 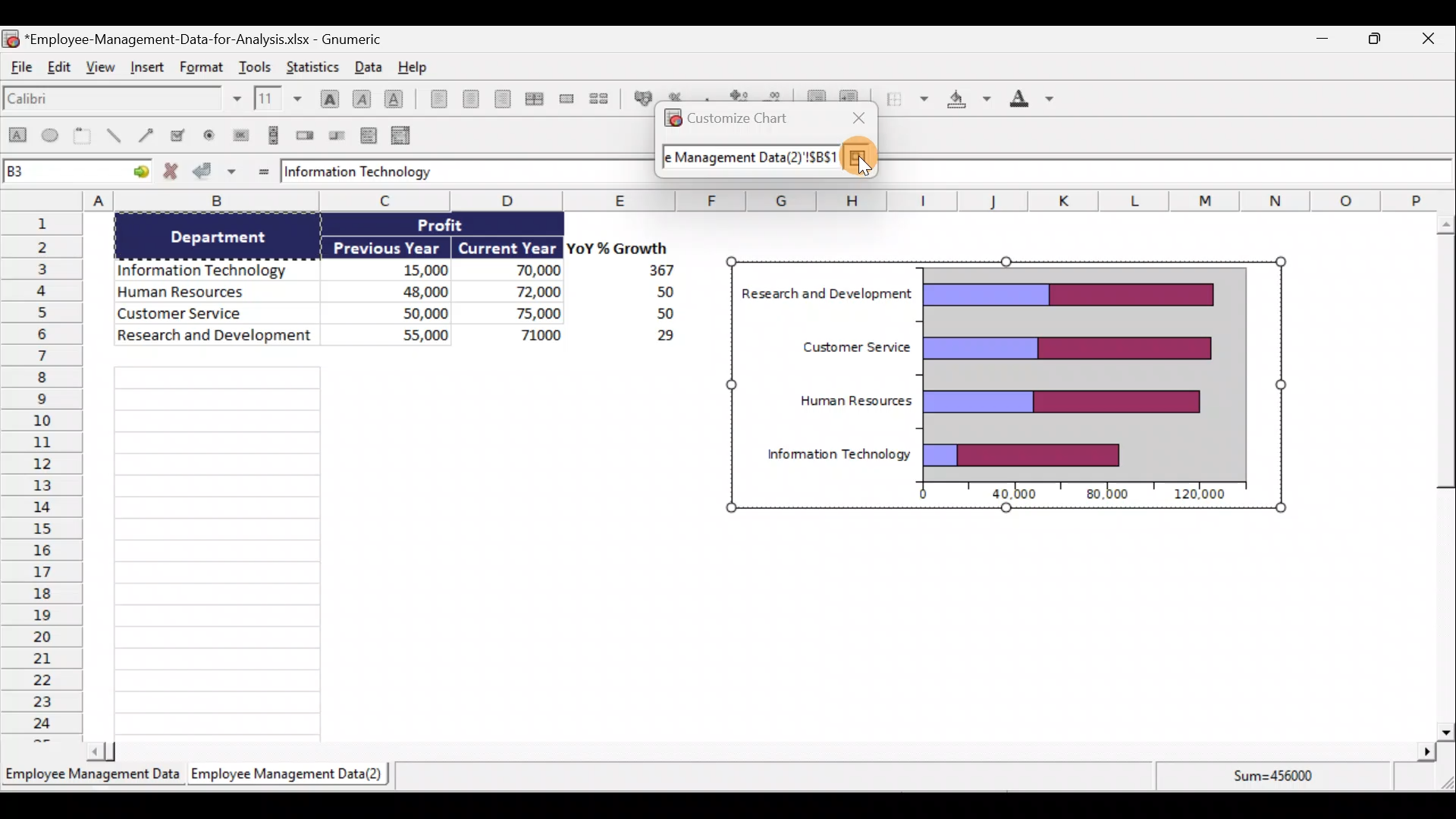 I want to click on Sum=456000, so click(x=1277, y=783).